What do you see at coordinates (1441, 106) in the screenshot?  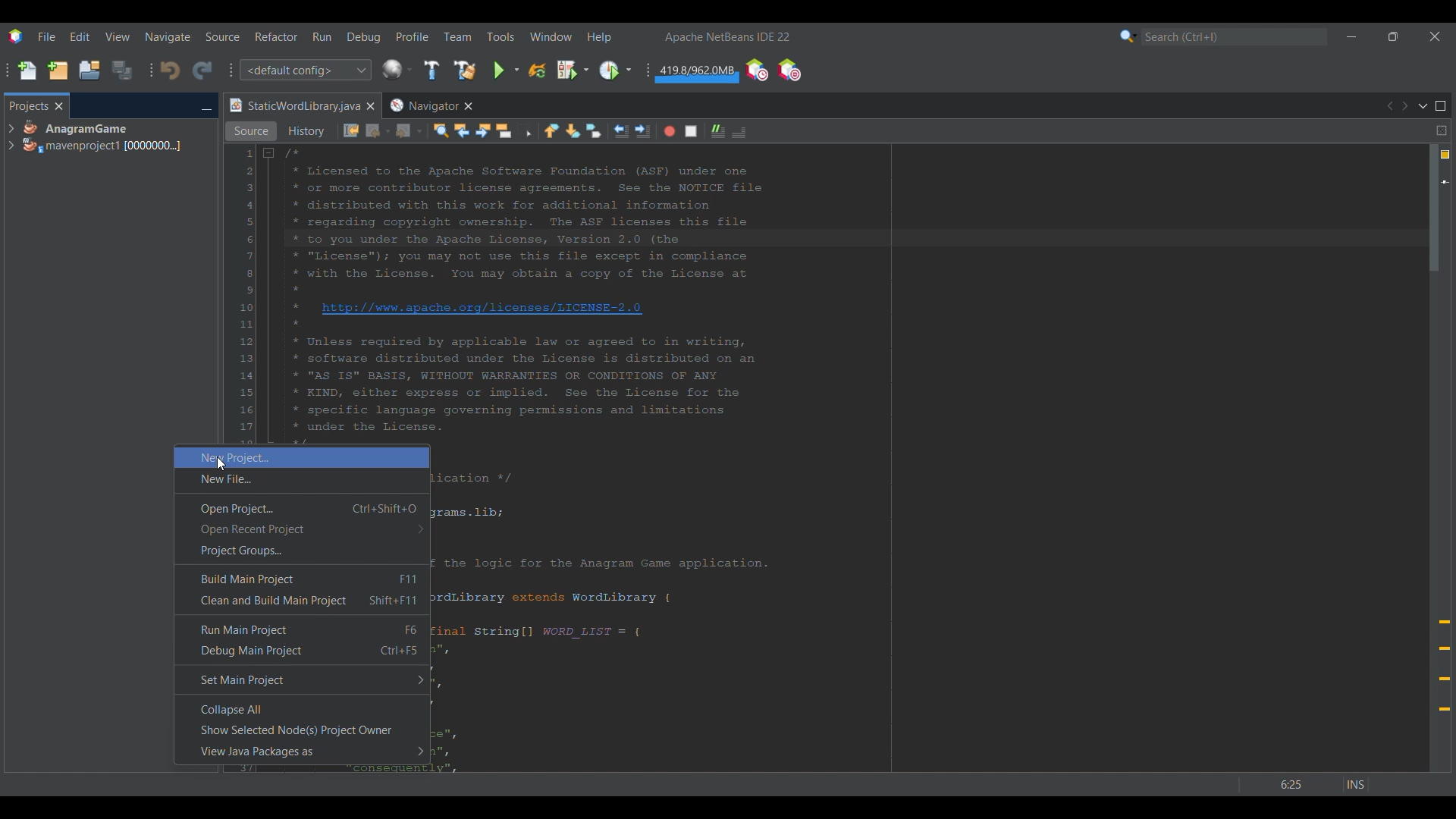 I see `Maximize window` at bounding box center [1441, 106].